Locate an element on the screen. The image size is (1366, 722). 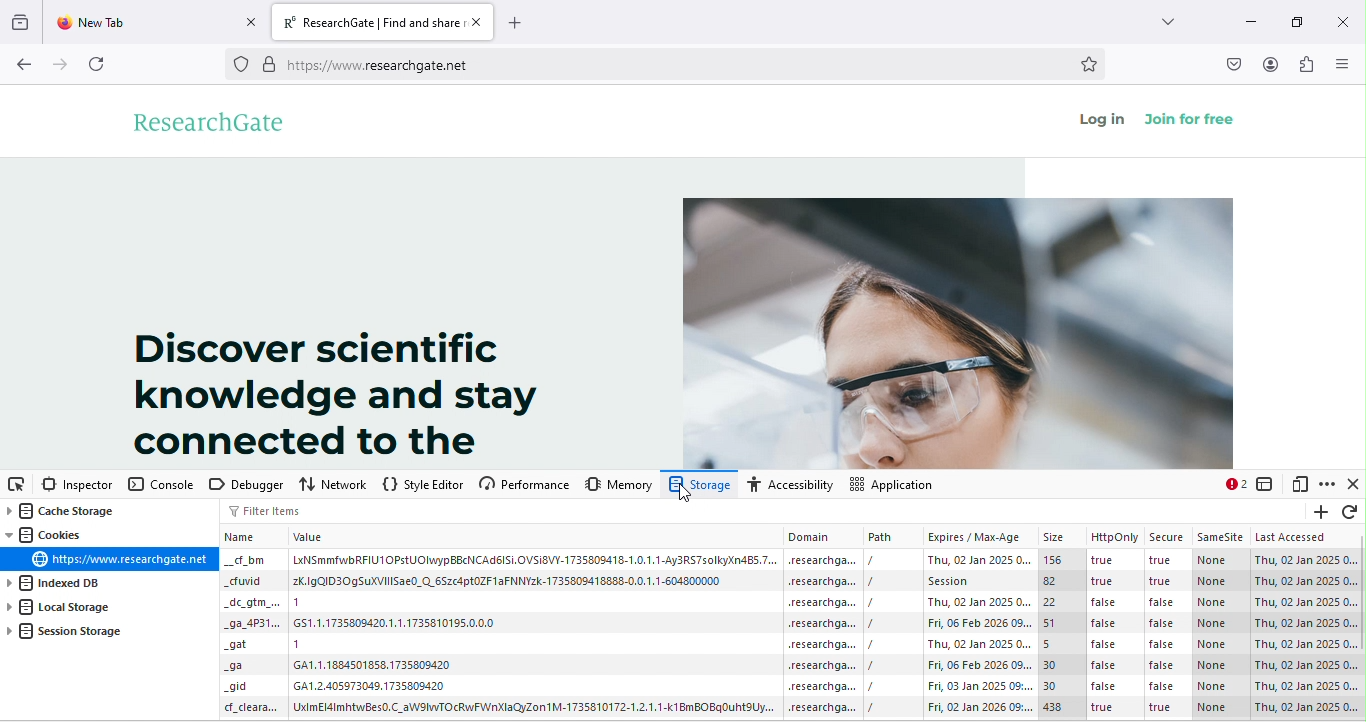
log in is located at coordinates (1098, 122).